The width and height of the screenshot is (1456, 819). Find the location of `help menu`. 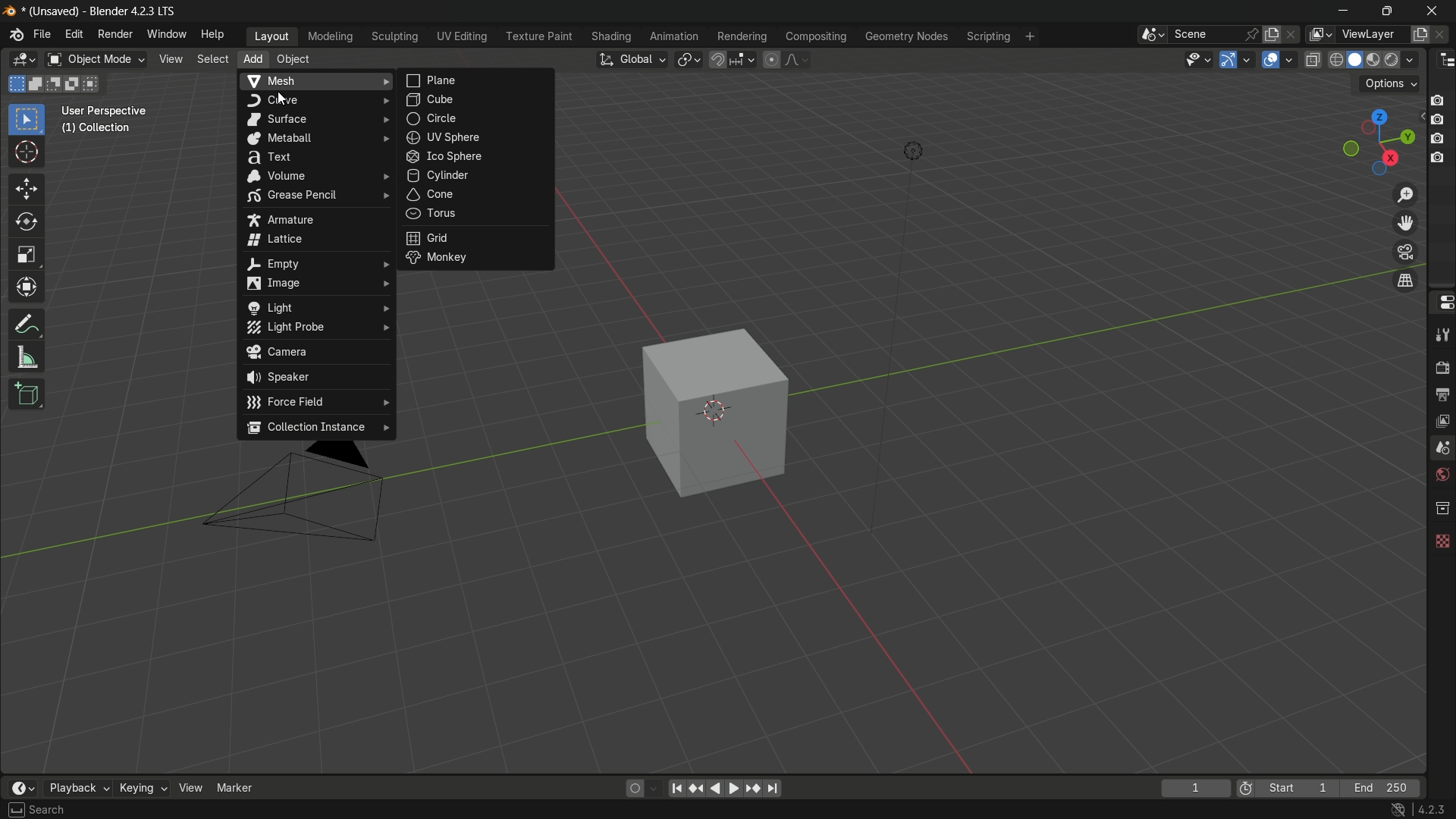

help menu is located at coordinates (214, 35).